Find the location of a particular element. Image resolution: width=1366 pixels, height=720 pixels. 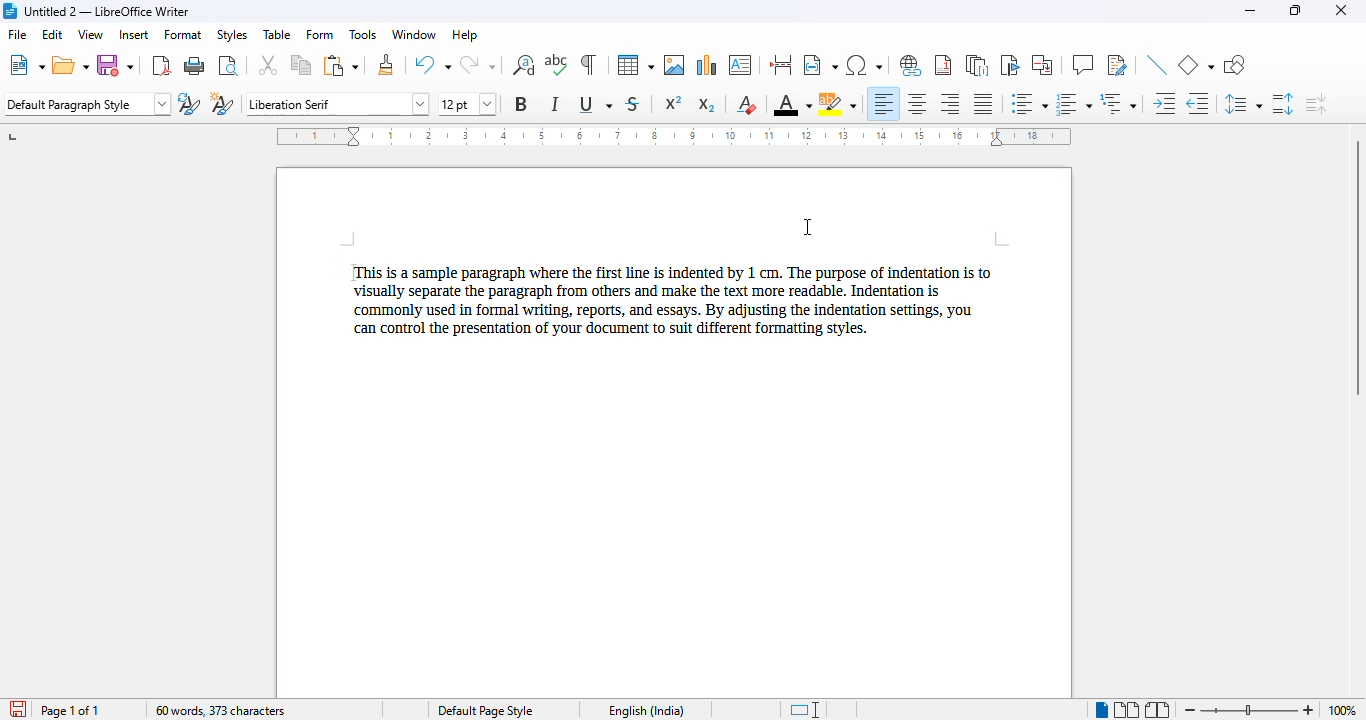

superscript is located at coordinates (674, 103).